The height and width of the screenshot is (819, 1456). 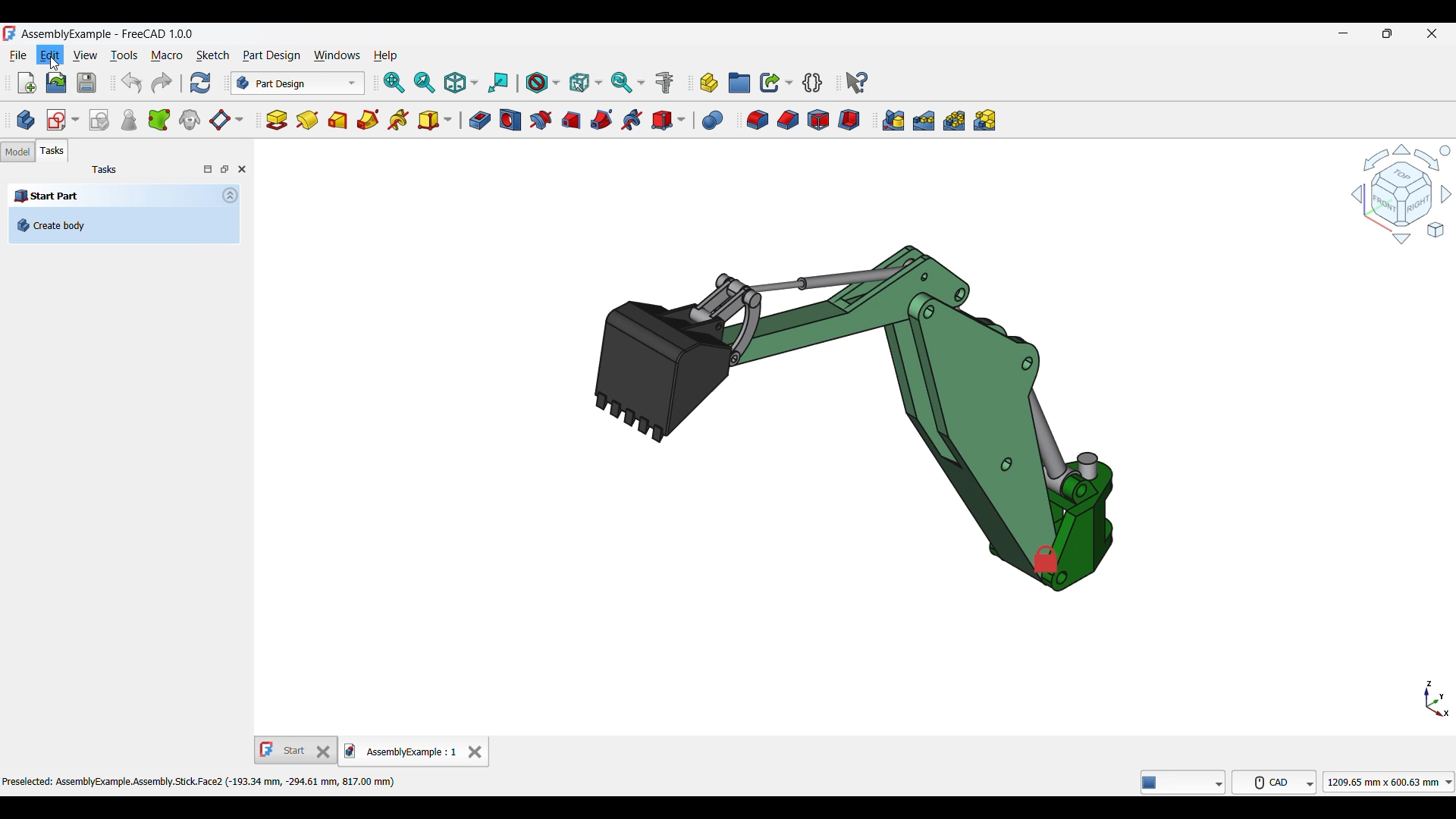 What do you see at coordinates (206, 780) in the screenshot?
I see `Preselected: AssemblyExample.Assembly.Stick.Face2 (-193.34 mm, -294.61 mm, 817.00 mm)` at bounding box center [206, 780].